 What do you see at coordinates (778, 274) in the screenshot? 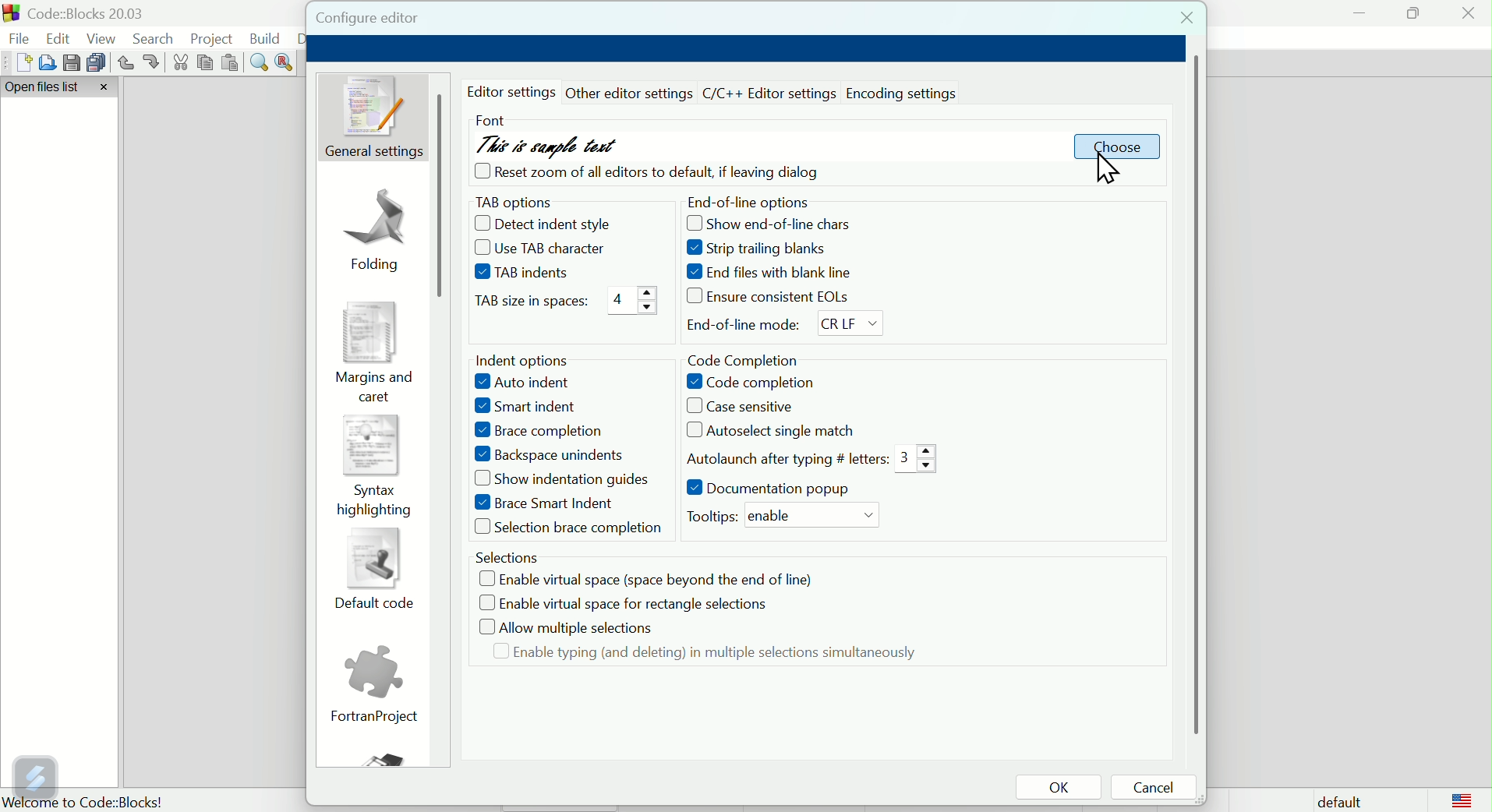
I see `End files with black line` at bounding box center [778, 274].